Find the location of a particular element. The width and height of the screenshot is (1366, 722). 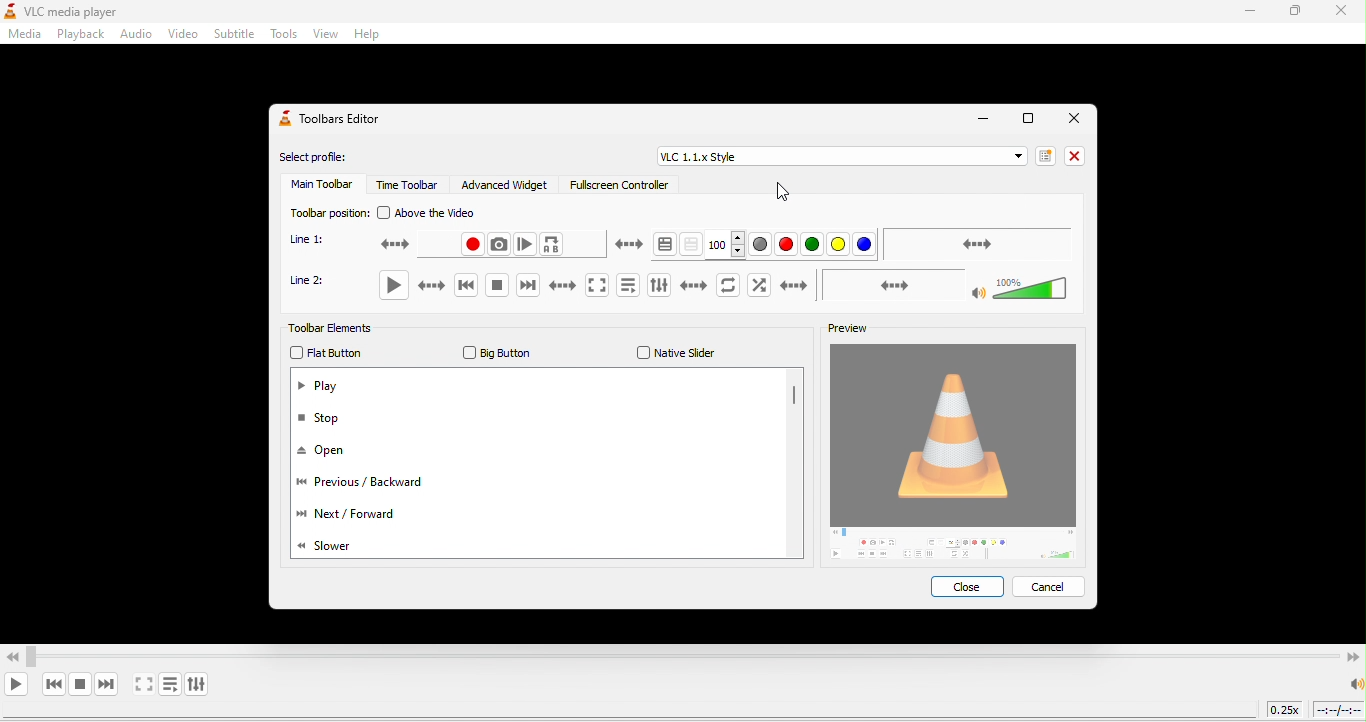

above the video is located at coordinates (438, 213).